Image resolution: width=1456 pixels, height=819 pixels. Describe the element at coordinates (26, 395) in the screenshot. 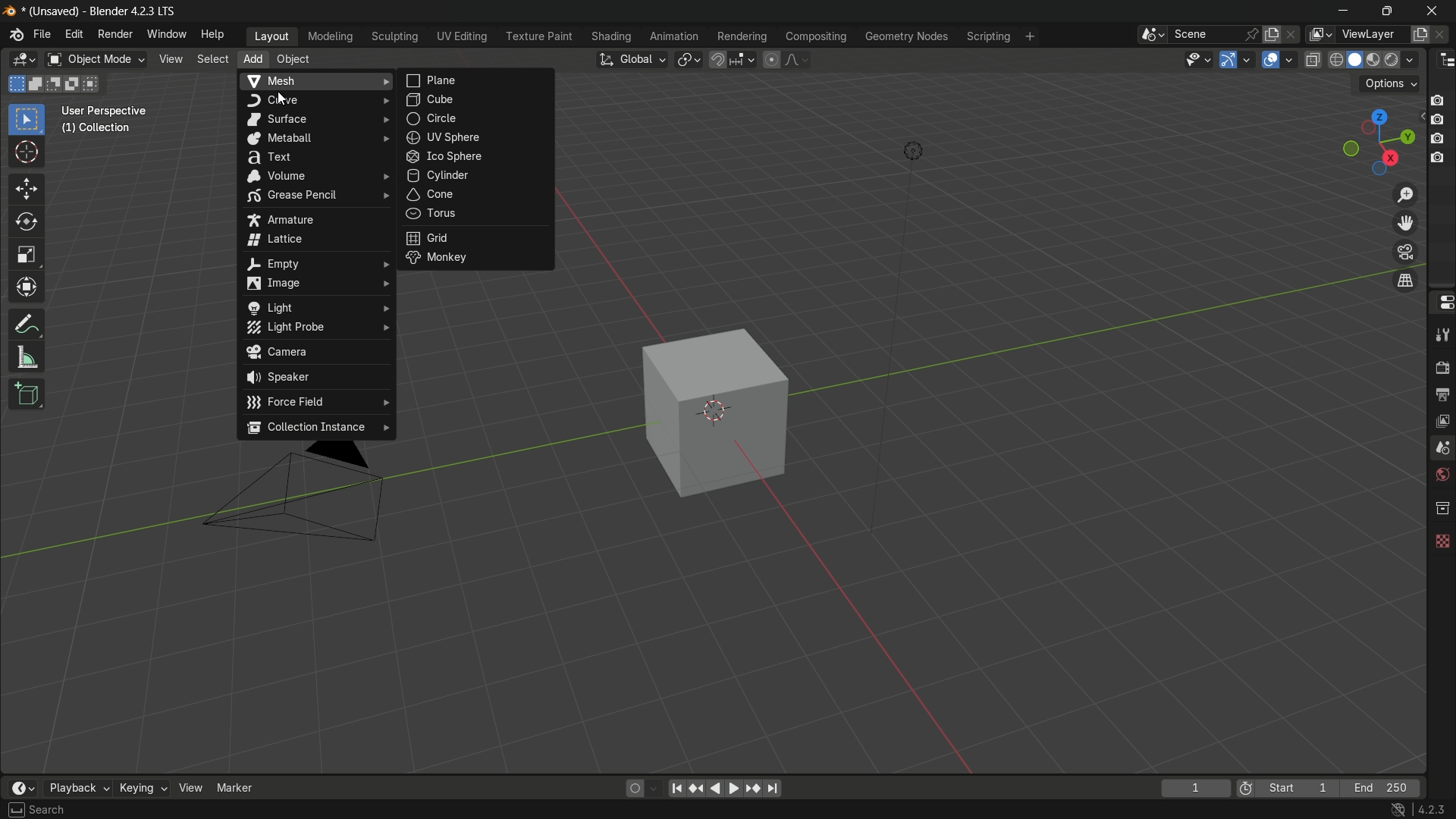

I see `add cube` at that location.